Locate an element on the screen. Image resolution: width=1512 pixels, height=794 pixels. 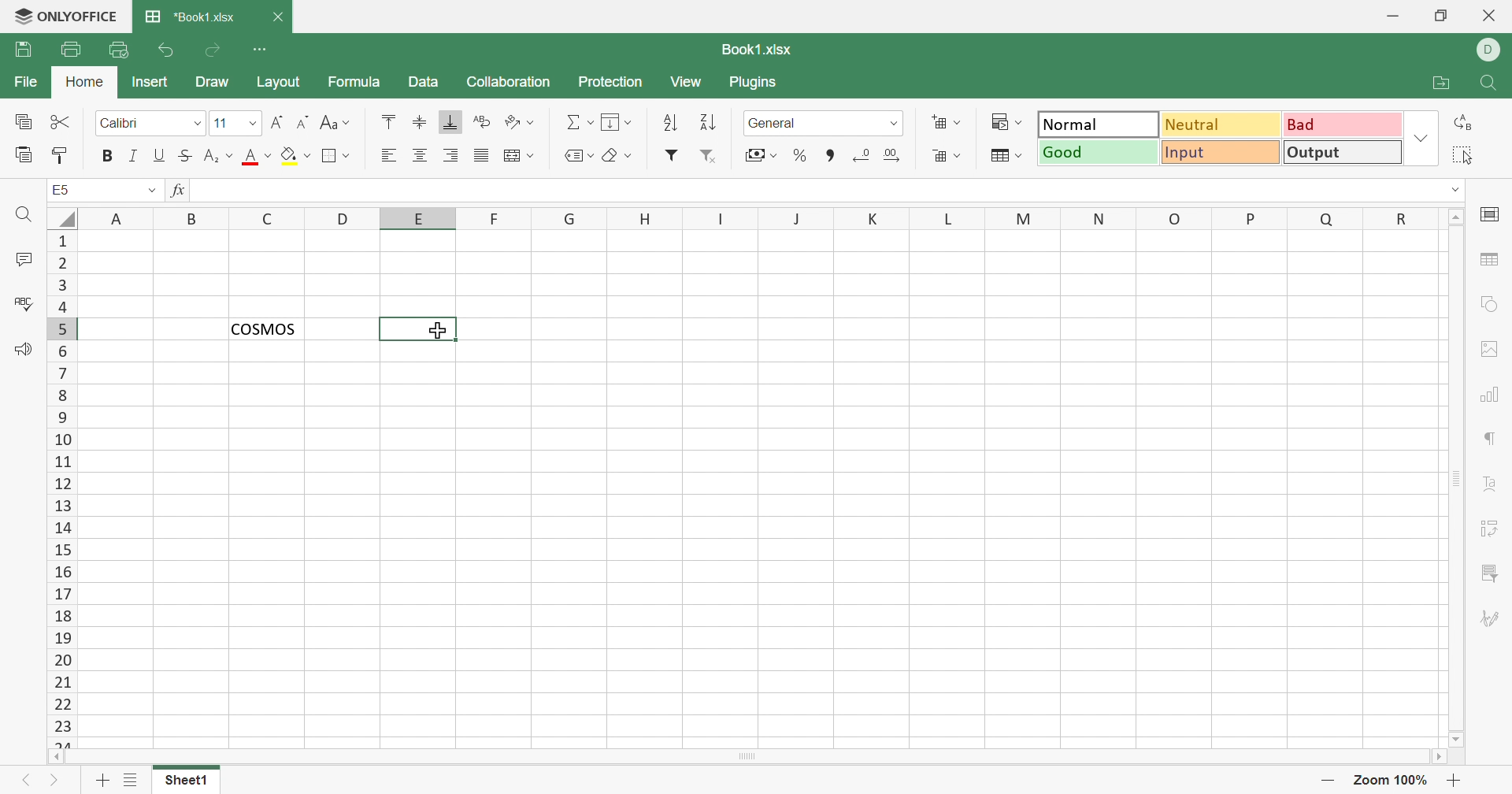
Justified is located at coordinates (481, 157).